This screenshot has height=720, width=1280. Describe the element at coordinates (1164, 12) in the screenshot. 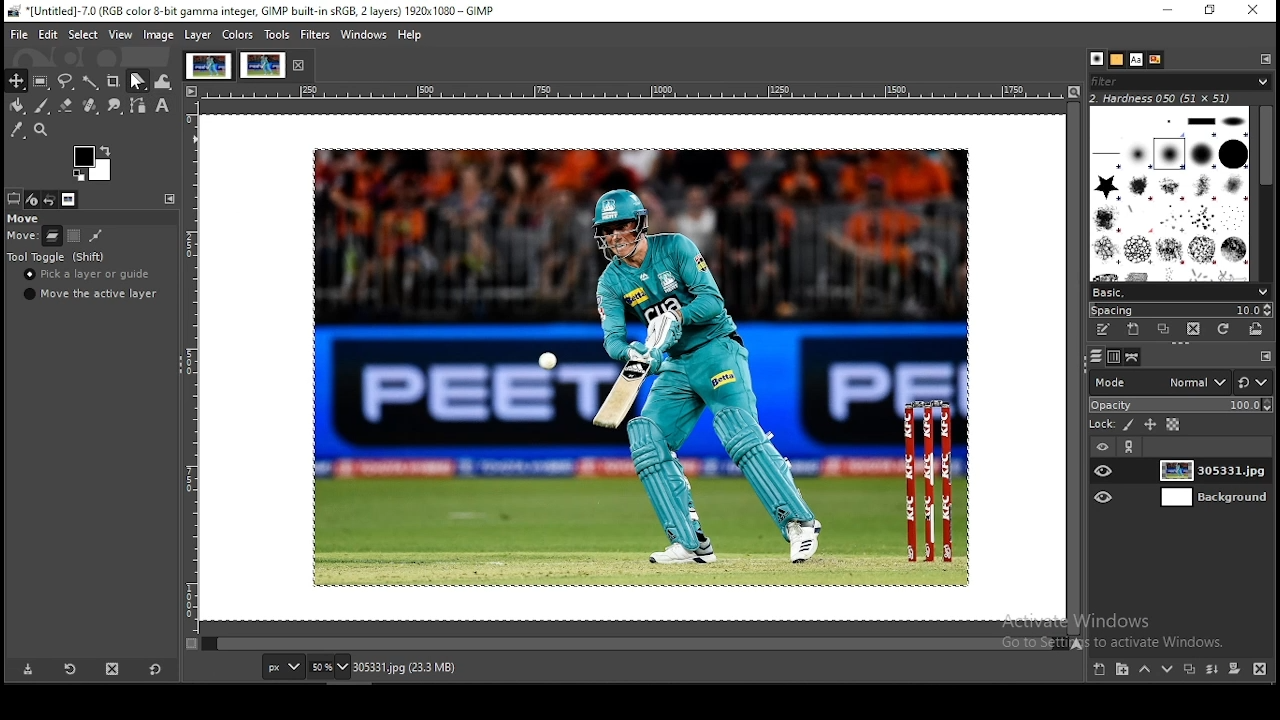

I see `minimize` at that location.